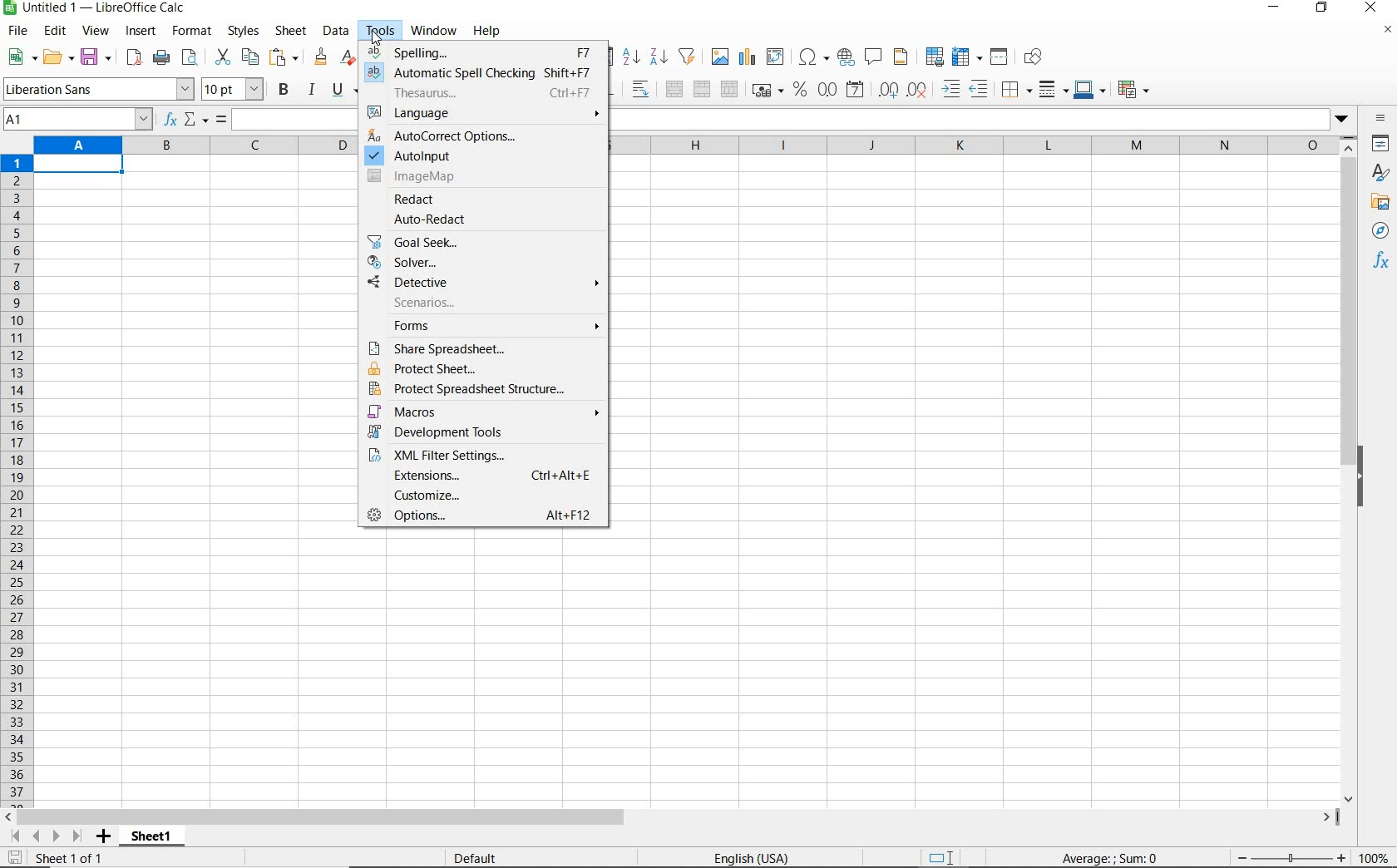  Describe the element at coordinates (450, 136) in the screenshot. I see `autocorrect options` at that location.